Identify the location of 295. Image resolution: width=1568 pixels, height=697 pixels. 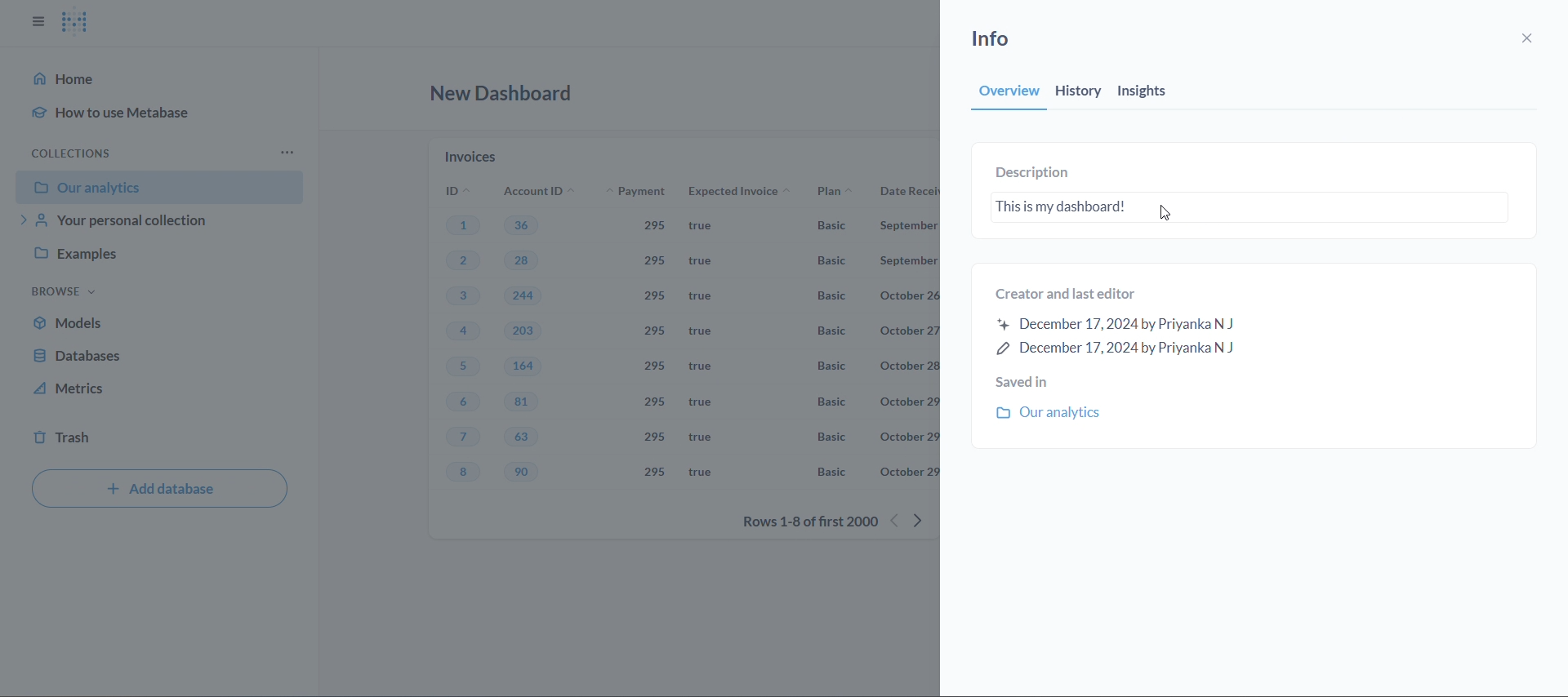
(659, 366).